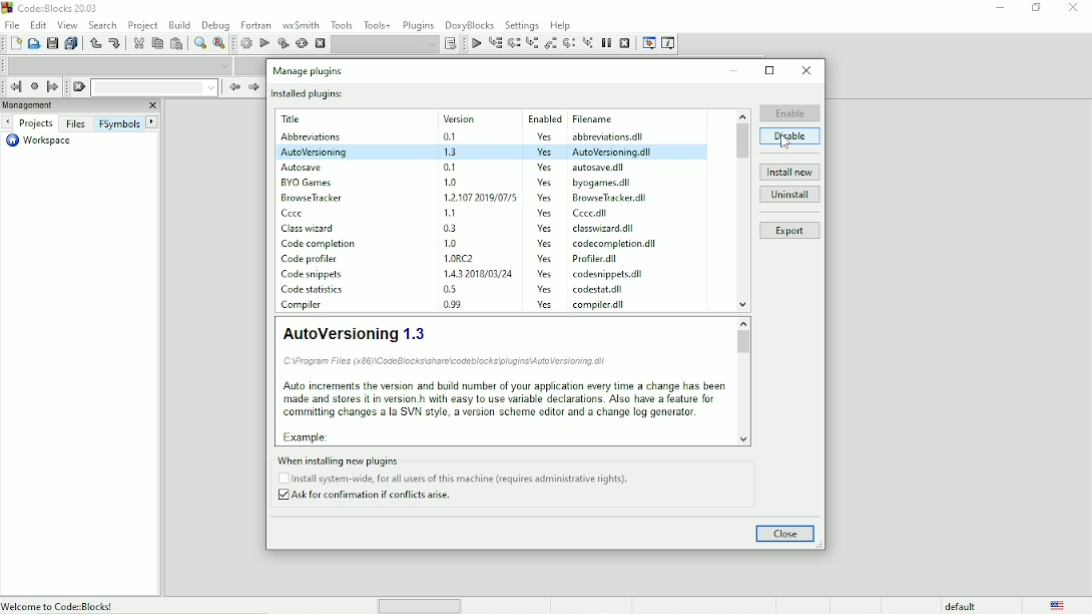 This screenshot has width=1092, height=614. What do you see at coordinates (785, 142) in the screenshot?
I see `Cursor` at bounding box center [785, 142].